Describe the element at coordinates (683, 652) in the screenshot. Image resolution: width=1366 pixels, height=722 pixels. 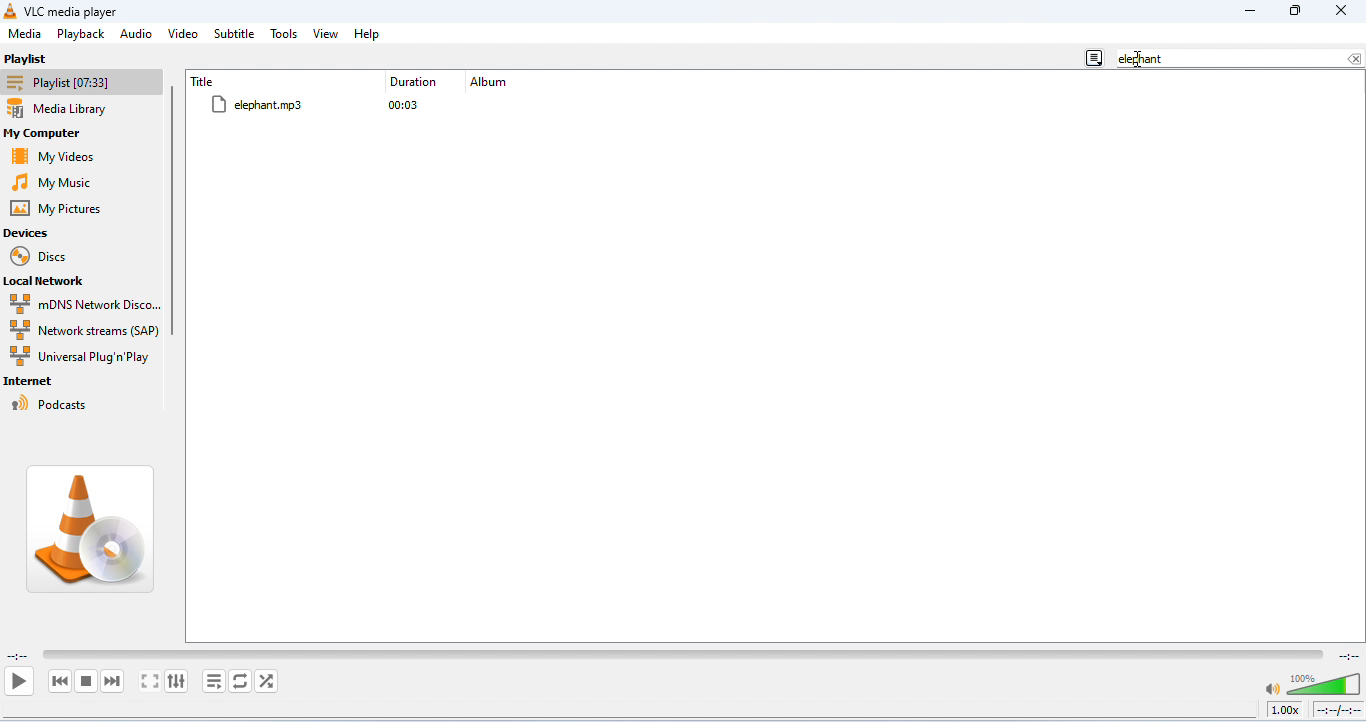
I see `progress of media` at that location.